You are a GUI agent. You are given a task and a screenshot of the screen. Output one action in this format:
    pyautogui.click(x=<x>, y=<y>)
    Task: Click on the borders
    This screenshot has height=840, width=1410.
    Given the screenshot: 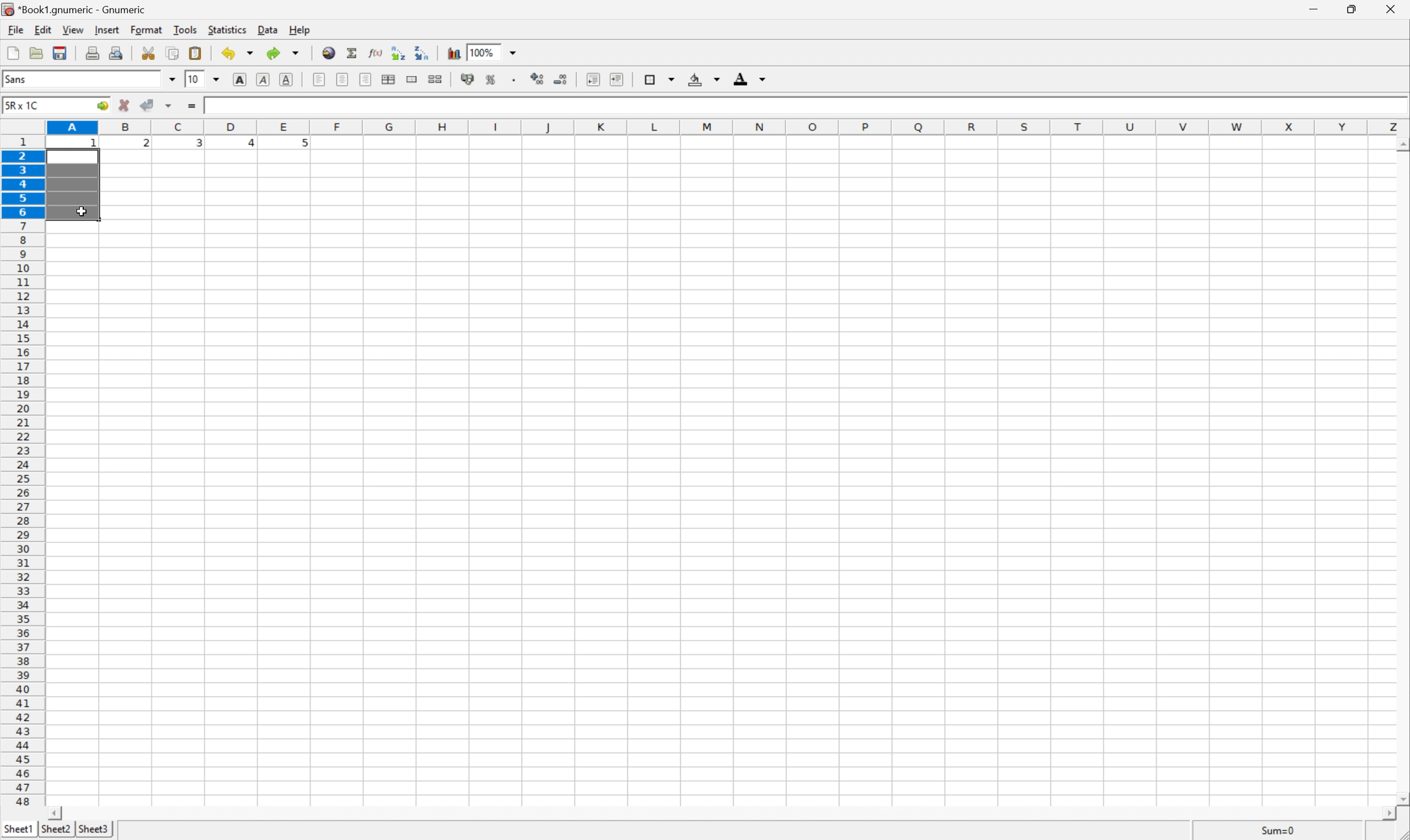 What is the action you would take?
    pyautogui.click(x=660, y=78)
    